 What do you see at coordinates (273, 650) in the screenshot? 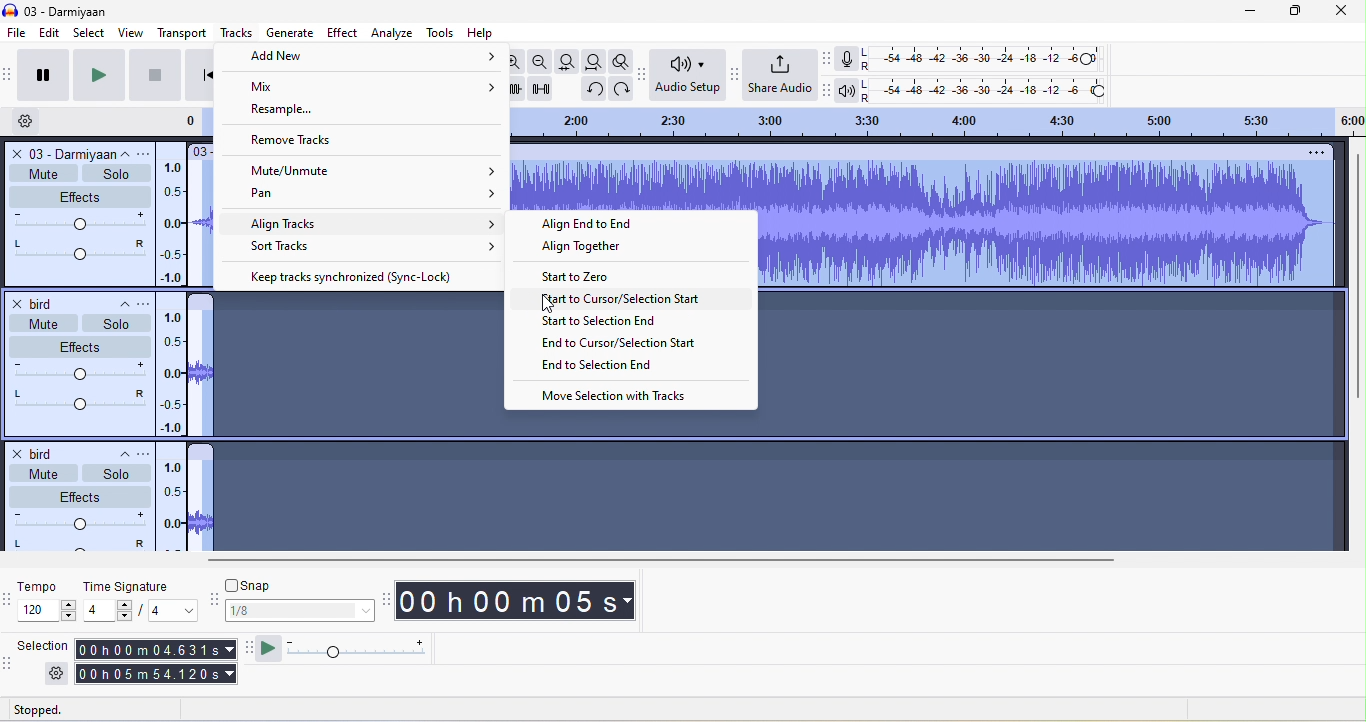
I see `play at speed once` at bounding box center [273, 650].